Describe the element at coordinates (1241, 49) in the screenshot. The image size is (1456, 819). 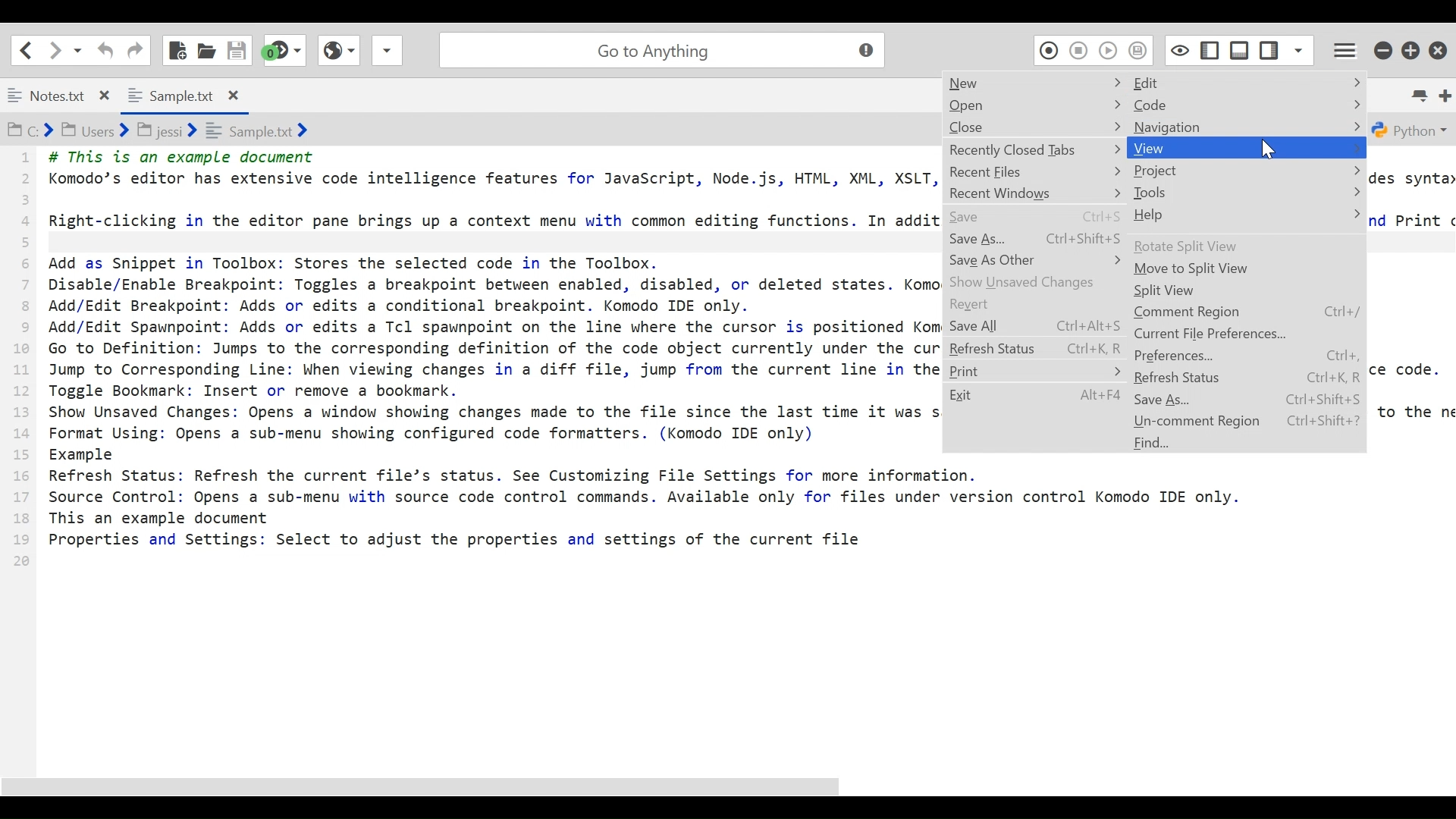
I see `Show/Hide Bottom Pane` at that location.